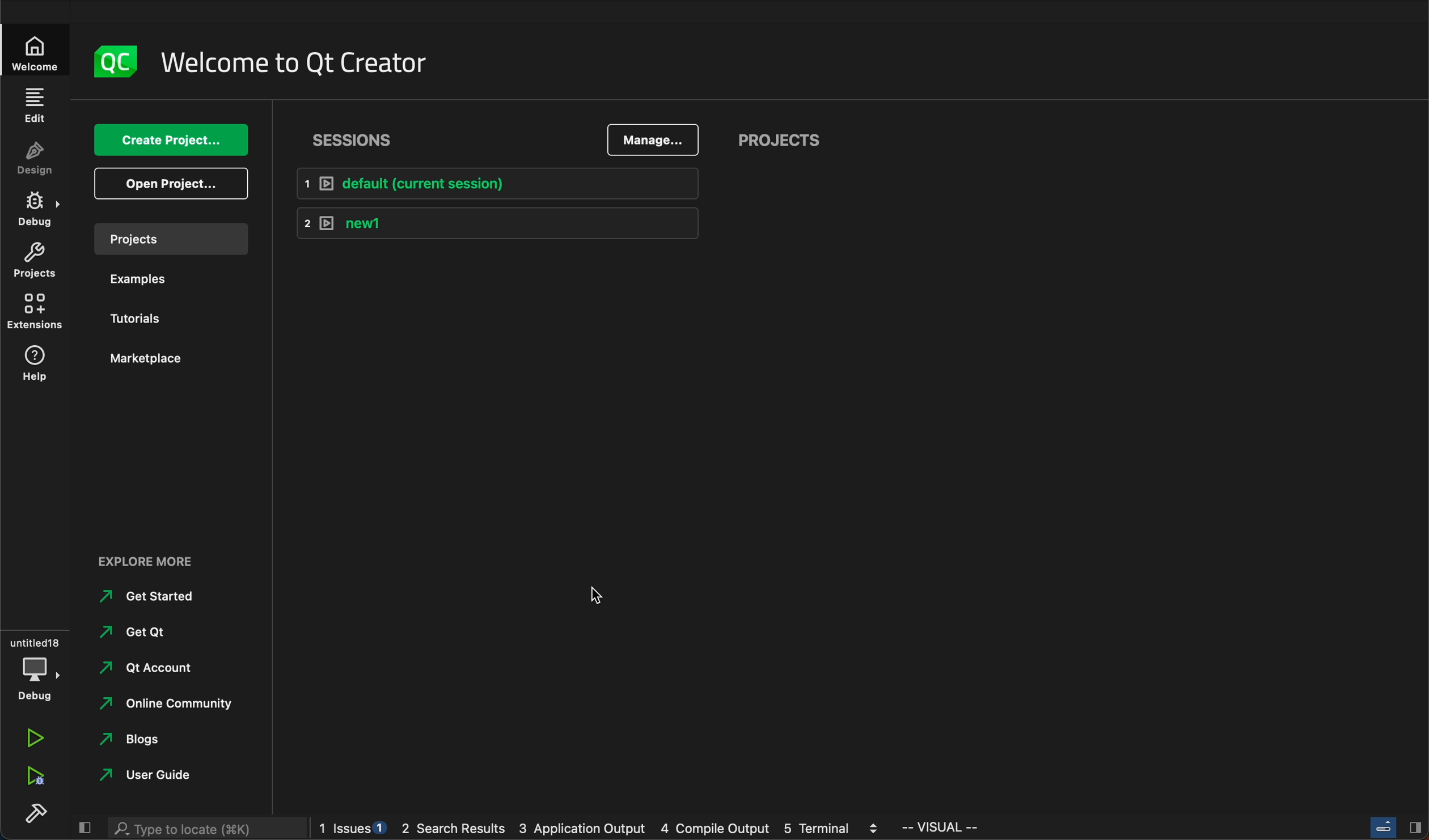 The image size is (1429, 840). Describe the element at coordinates (155, 558) in the screenshot. I see `explore` at that location.